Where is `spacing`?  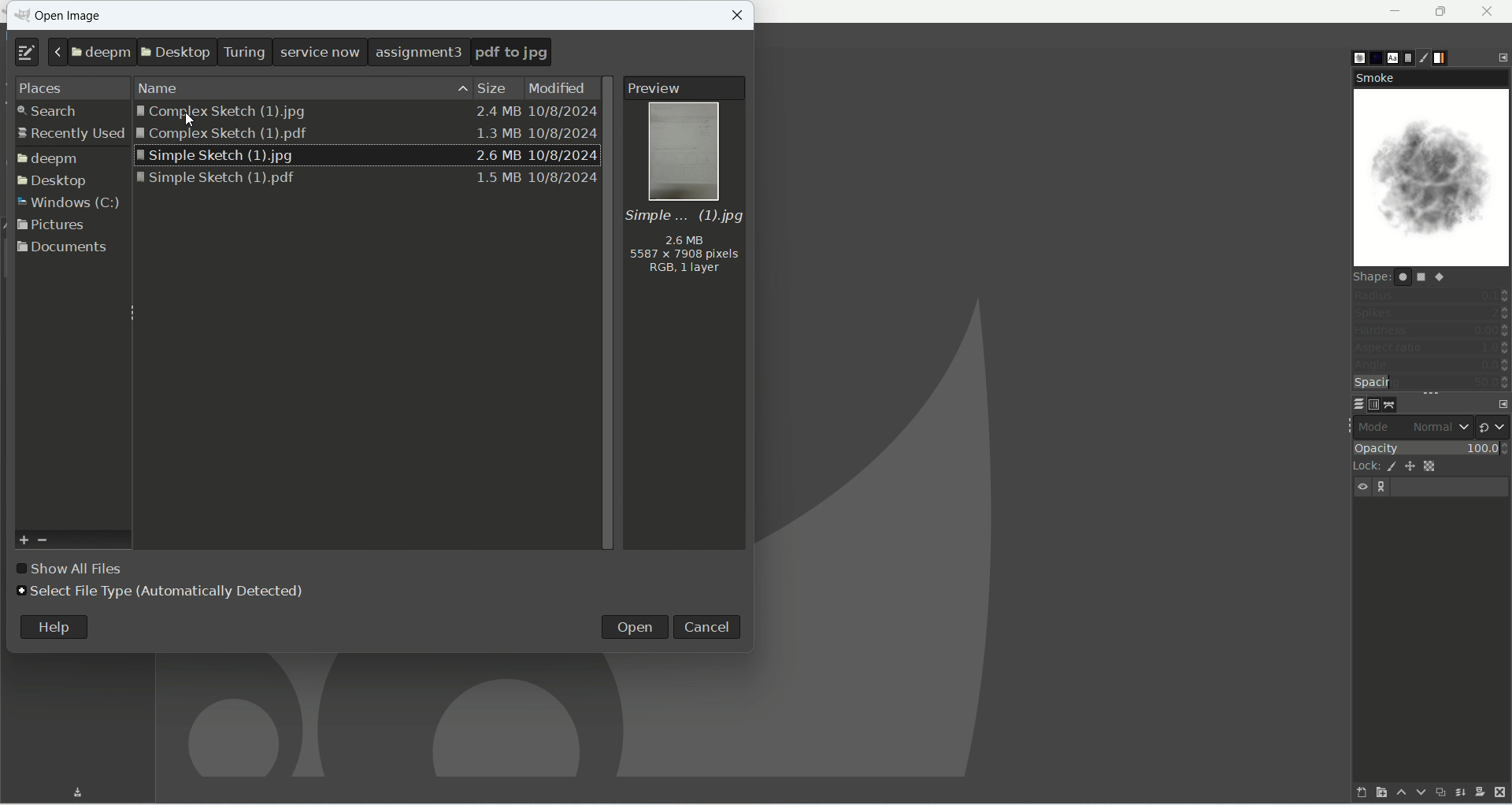 spacing is located at coordinates (1432, 382).